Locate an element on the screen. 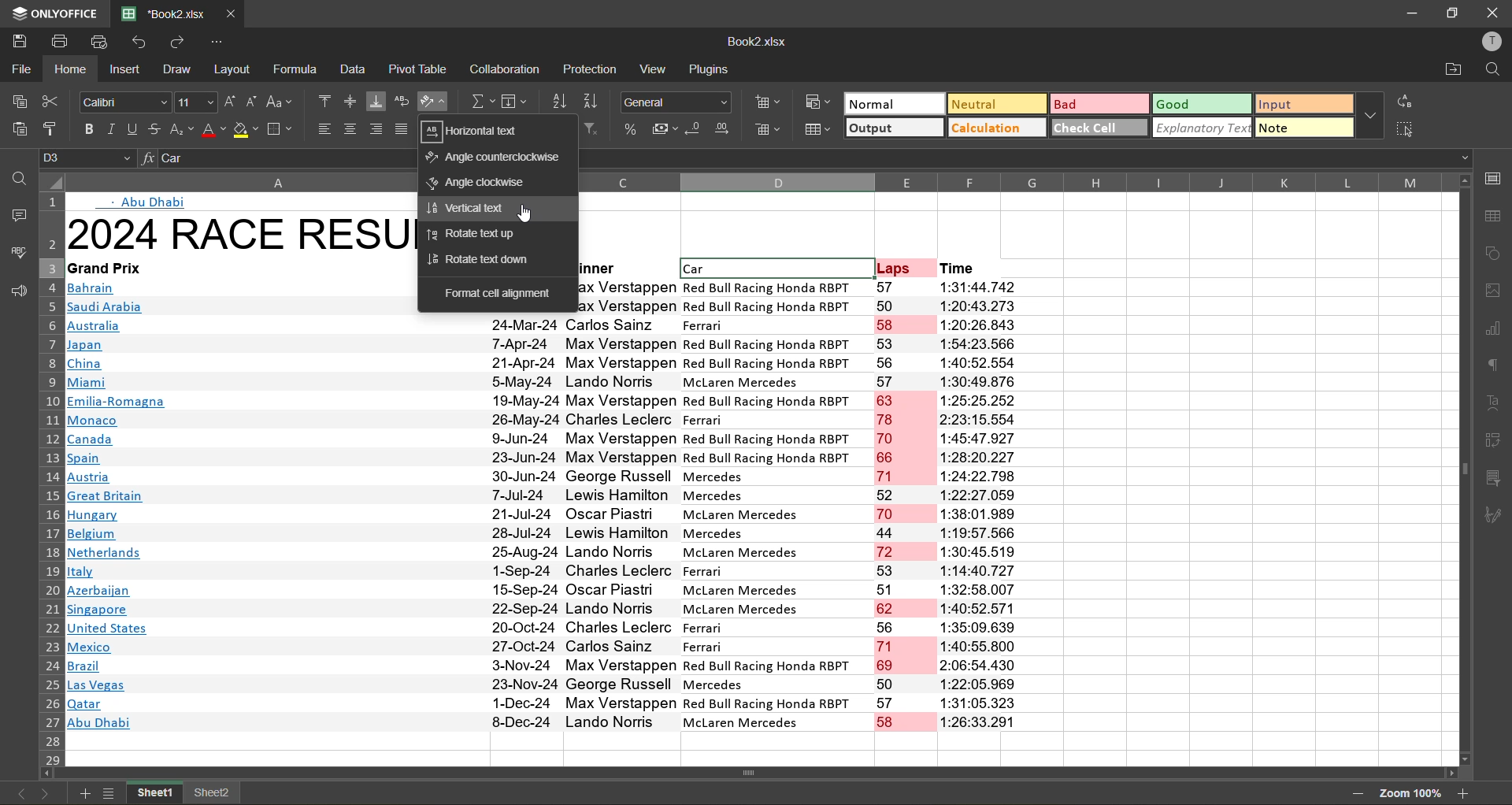  rotate text up is located at coordinates (476, 232).